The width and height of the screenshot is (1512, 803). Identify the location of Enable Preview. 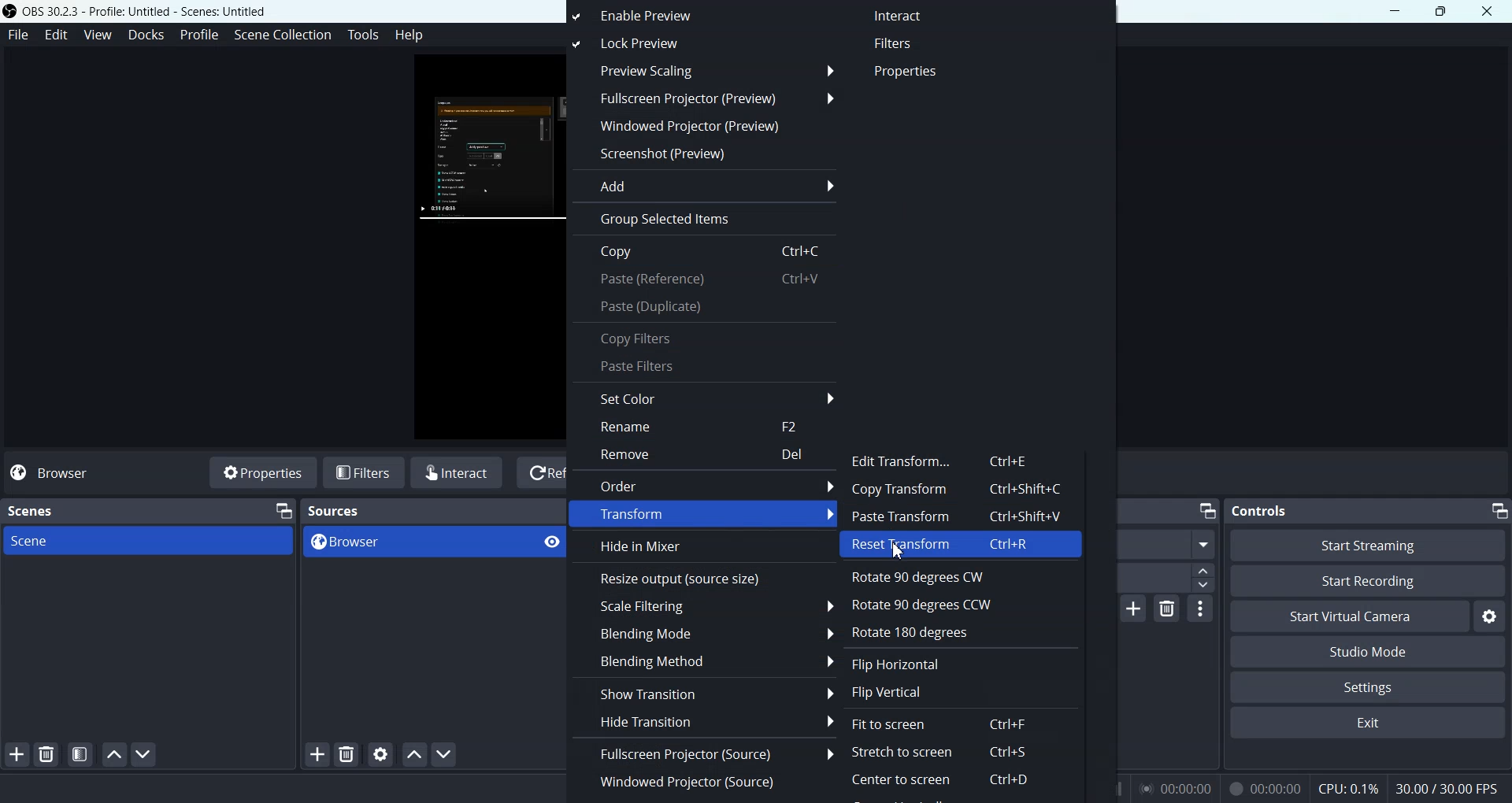
(666, 16).